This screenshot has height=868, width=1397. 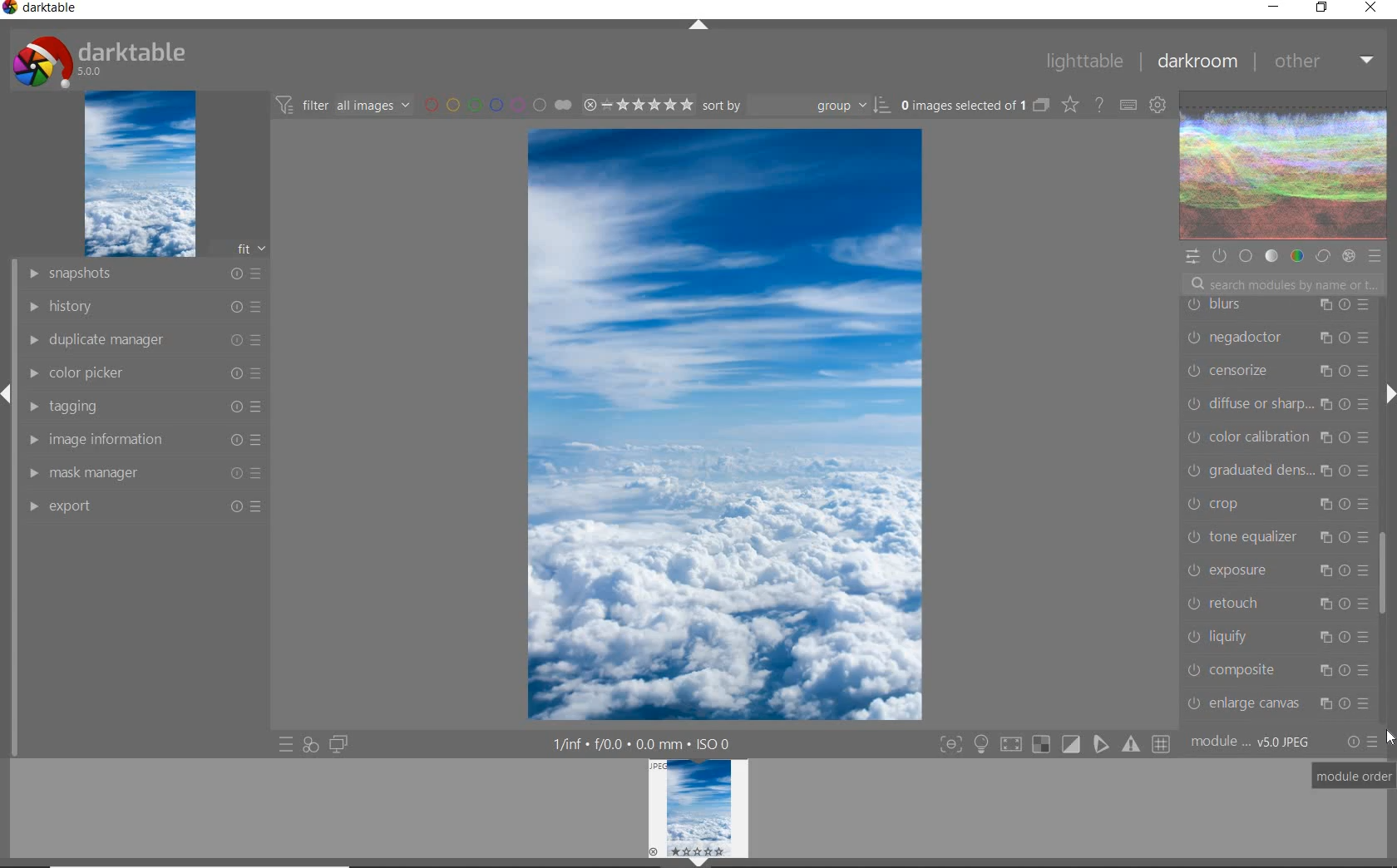 What do you see at coordinates (961, 104) in the screenshot?
I see `0 images selected of` at bounding box center [961, 104].